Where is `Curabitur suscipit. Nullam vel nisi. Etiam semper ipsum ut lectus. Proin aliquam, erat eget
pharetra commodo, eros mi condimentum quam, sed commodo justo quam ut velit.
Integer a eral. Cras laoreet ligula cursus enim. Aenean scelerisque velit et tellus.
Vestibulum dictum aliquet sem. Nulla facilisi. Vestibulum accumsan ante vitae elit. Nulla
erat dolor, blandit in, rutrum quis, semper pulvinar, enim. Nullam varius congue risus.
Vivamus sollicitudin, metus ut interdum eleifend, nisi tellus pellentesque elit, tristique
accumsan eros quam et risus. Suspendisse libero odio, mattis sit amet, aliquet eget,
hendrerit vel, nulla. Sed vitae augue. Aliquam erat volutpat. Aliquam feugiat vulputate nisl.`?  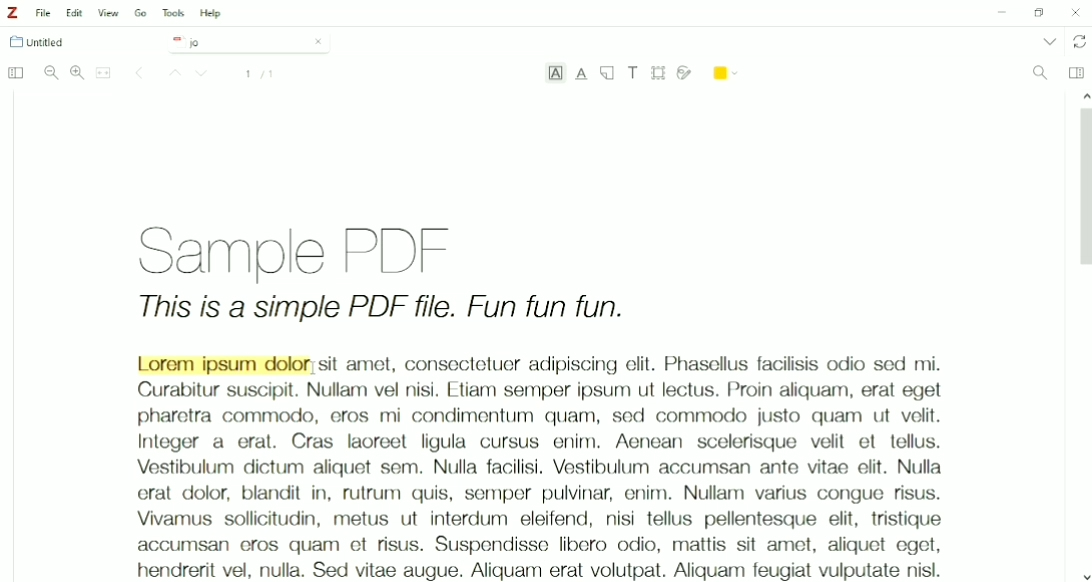 Curabitur suscipit. Nullam vel nisi. Etiam semper ipsum ut lectus. Proin aliquam, erat eget
pharetra commodo, eros mi condimentum quam, sed commodo justo quam ut velit.
Integer a eral. Cras laoreet ligula cursus enim. Aenean scelerisque velit et tellus.
Vestibulum dictum aliquet sem. Nulla facilisi. Vestibulum accumsan ante vitae elit. Nulla
erat dolor, blandit in, rutrum quis, semper pulvinar, enim. Nullam varius congue risus.
Vivamus sollicitudin, metus ut interdum eleifend, nisi tellus pellentesque elit, tristique
accumsan eros quam et risus. Suspendisse libero odio, mattis sit amet, aliquet eget,
hendrerit vel, nulla. Sed vitae augue. Aliquam erat volutpat. Aliquam feugiat vulputate nisl. is located at coordinates (538, 480).